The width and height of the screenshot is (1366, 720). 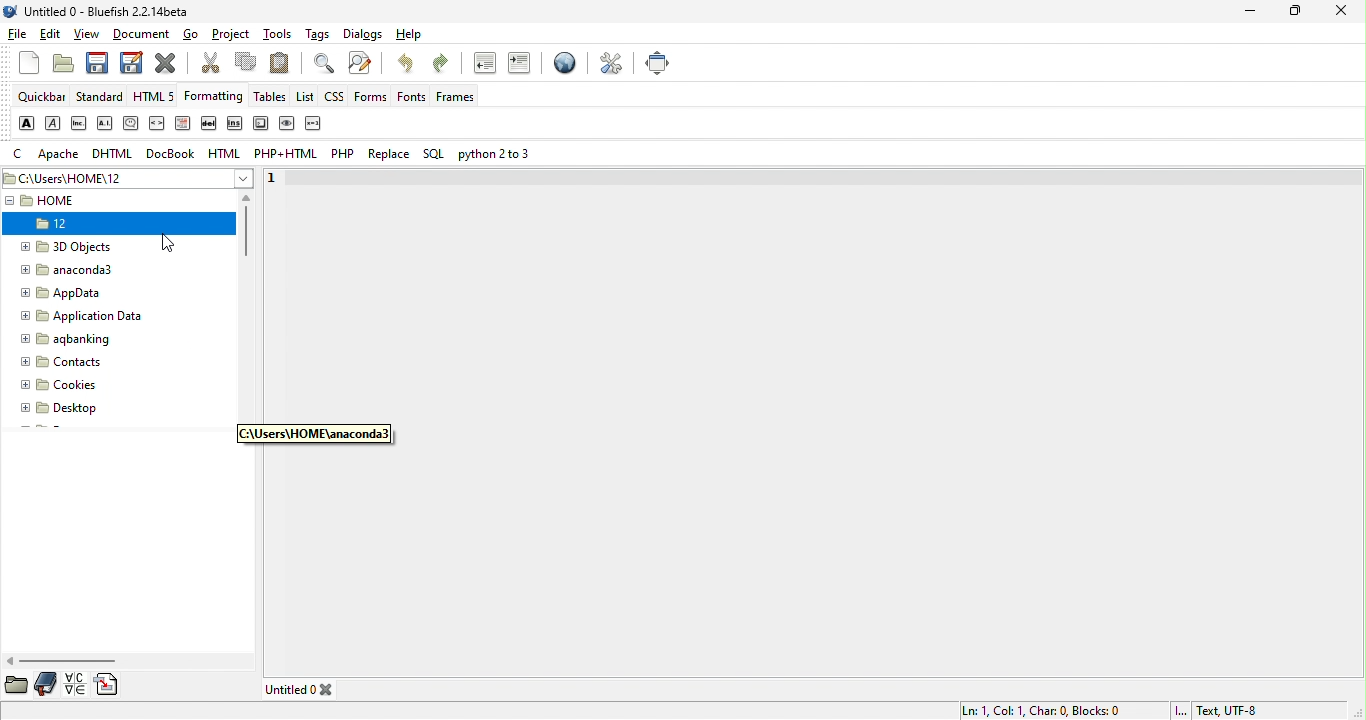 I want to click on replace, so click(x=391, y=155).